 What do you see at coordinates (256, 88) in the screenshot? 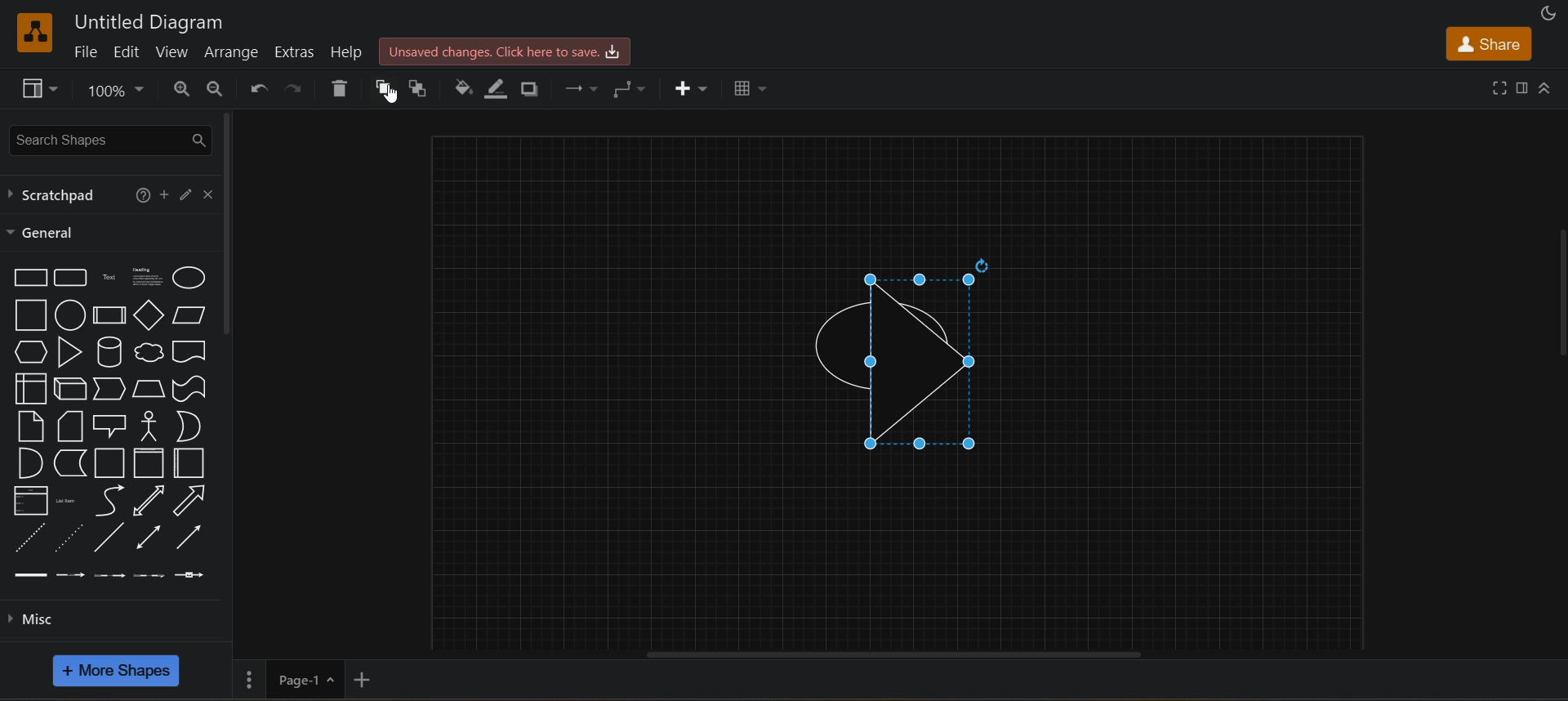
I see `undo` at bounding box center [256, 88].